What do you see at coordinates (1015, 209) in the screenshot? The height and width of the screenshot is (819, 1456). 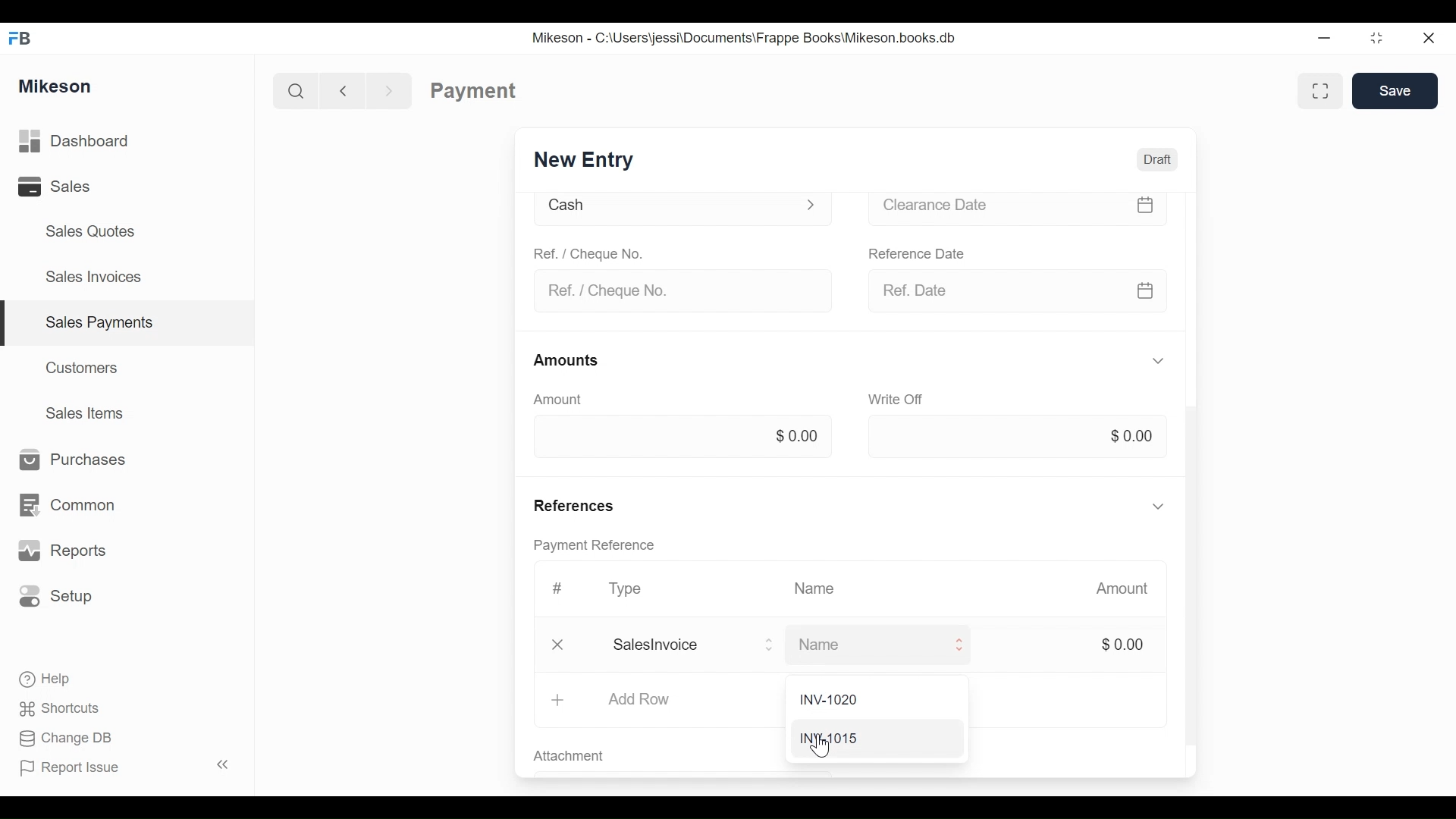 I see `Clearance date` at bounding box center [1015, 209].